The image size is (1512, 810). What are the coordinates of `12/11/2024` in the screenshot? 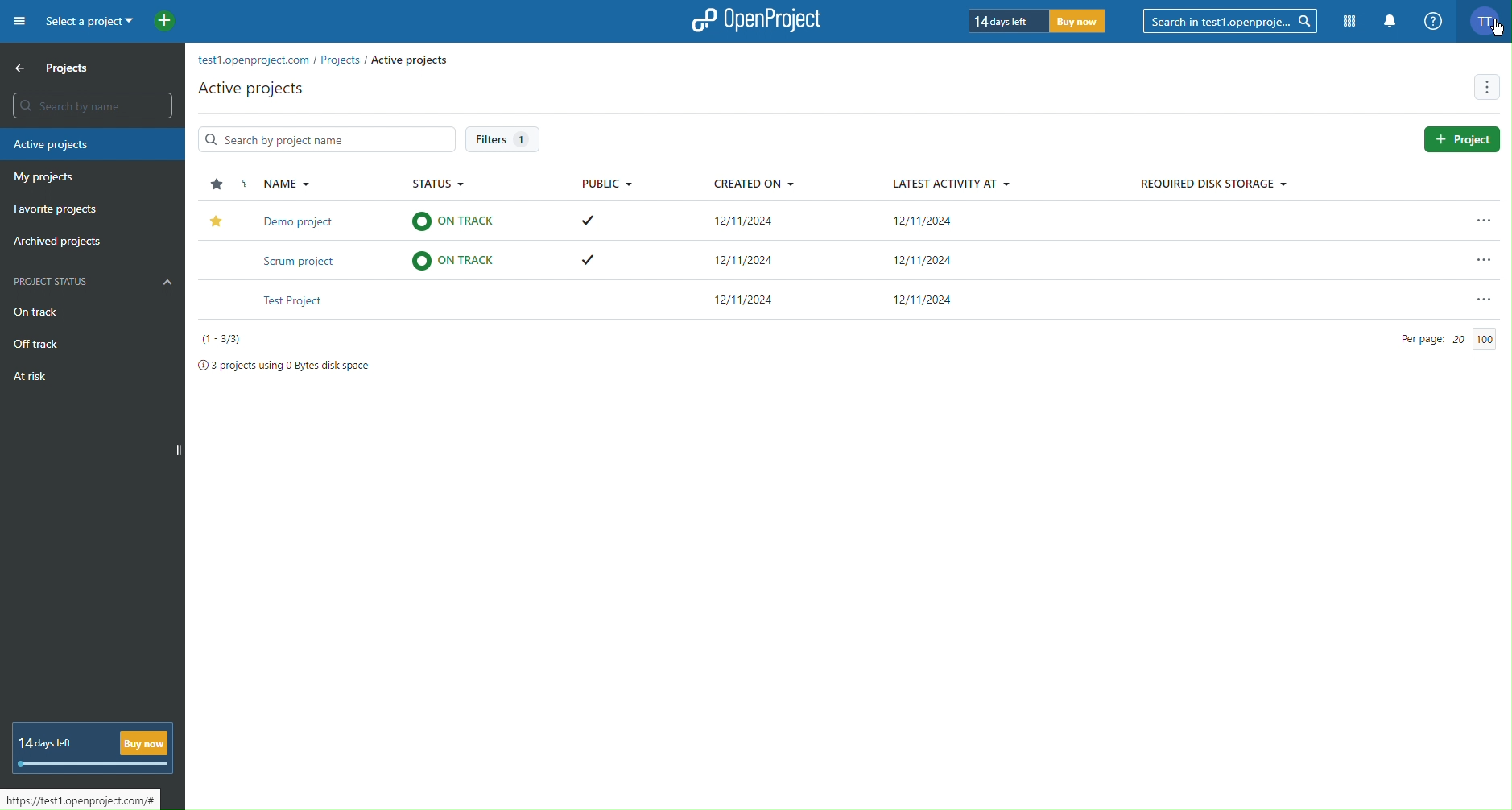 It's located at (742, 302).